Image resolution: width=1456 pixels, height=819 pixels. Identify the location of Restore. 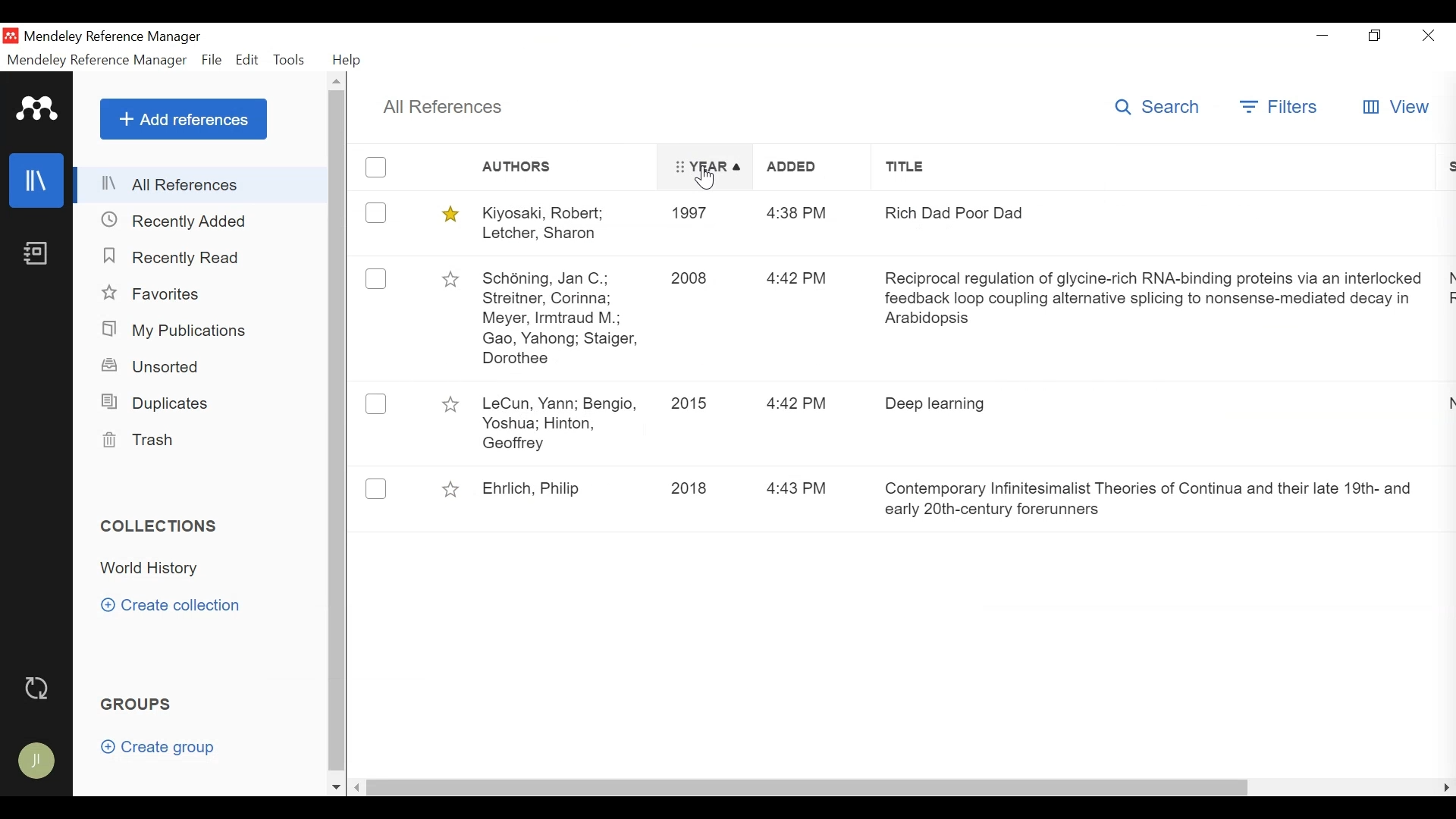
(1376, 35).